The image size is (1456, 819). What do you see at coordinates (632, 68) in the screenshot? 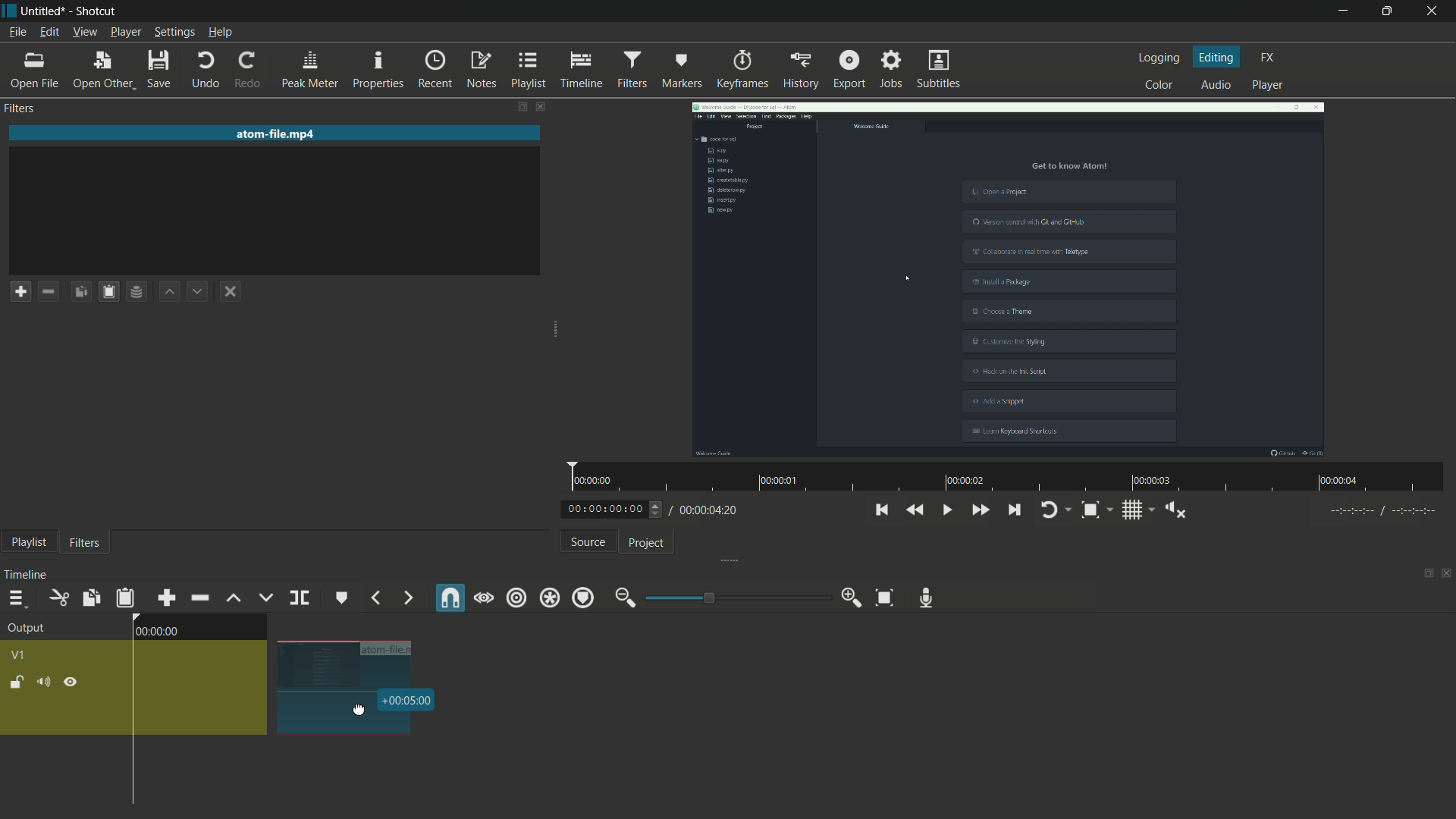
I see `filters` at bounding box center [632, 68].